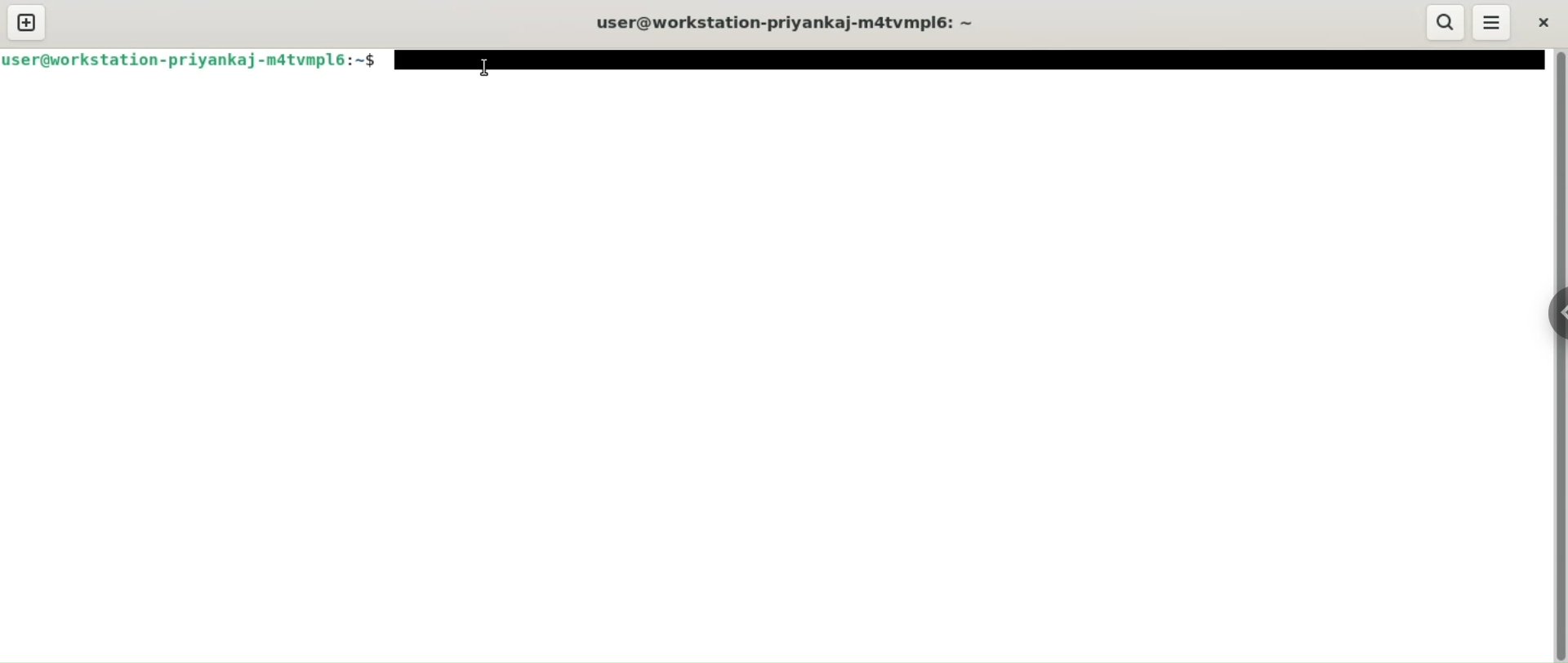 This screenshot has height=663, width=1568. Describe the element at coordinates (27, 23) in the screenshot. I see `new tab` at that location.